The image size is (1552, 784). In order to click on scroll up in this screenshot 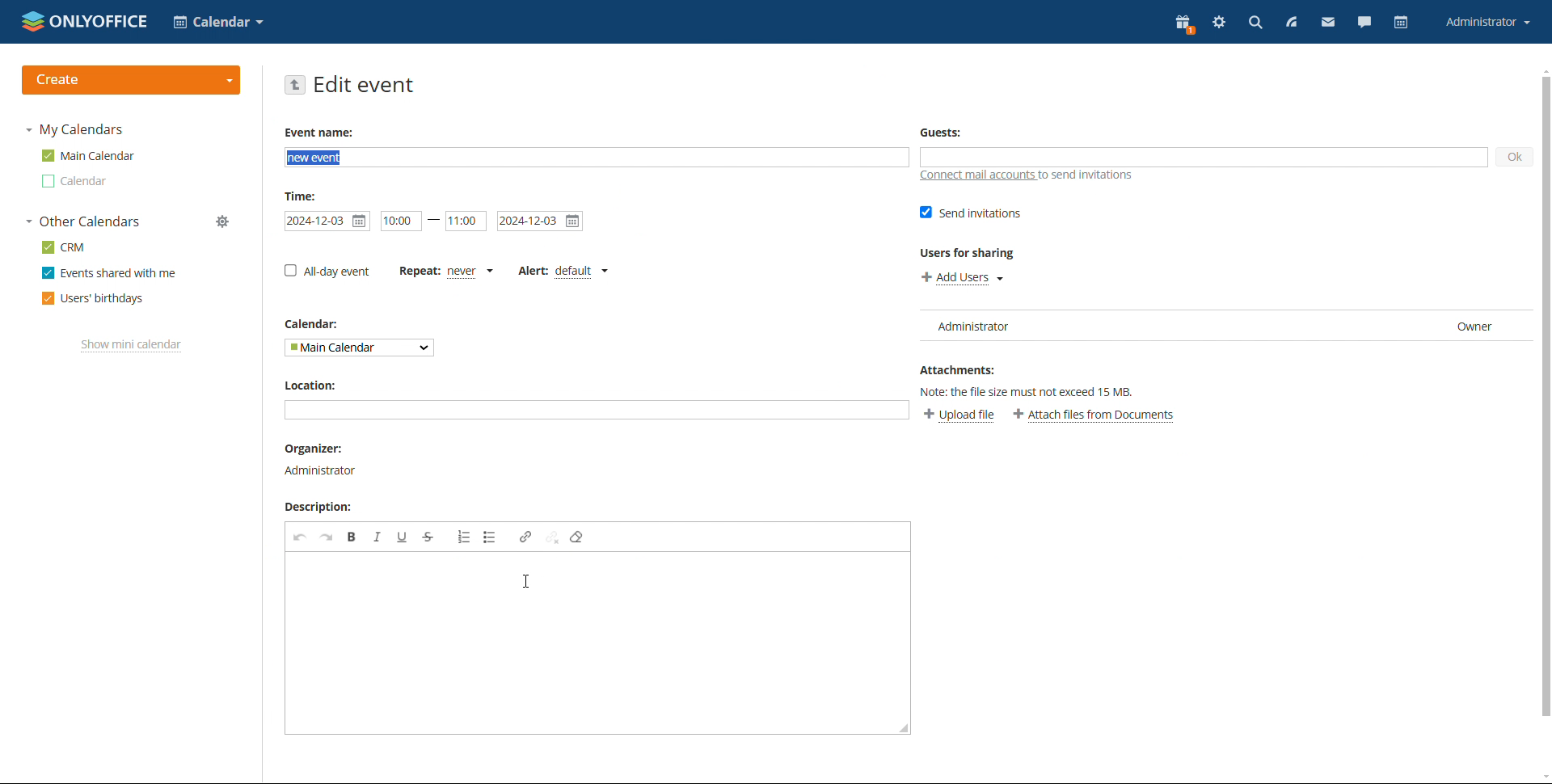, I will do `click(1542, 70)`.